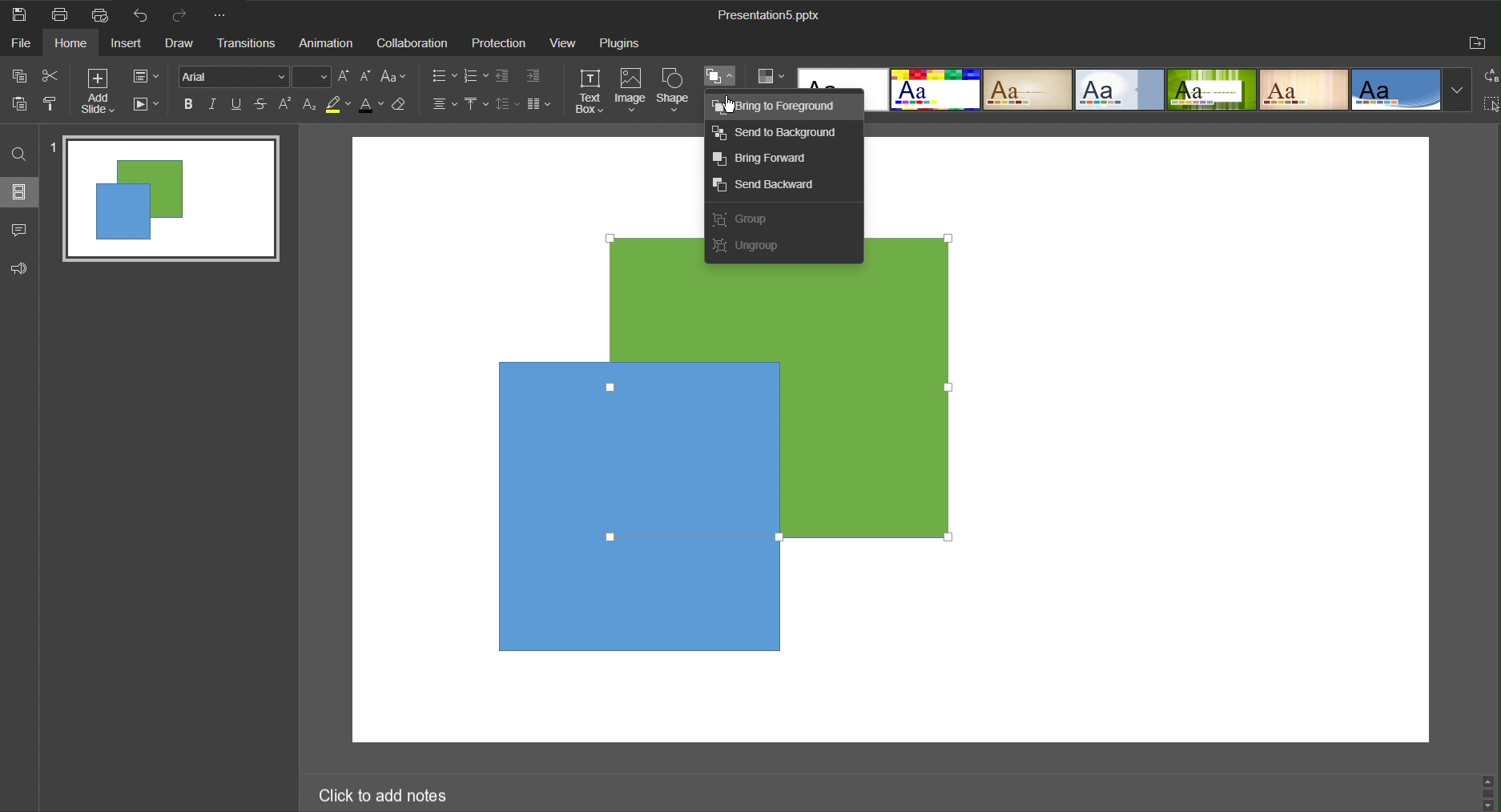 The image size is (1501, 812). I want to click on Click to add notes, so click(388, 796).